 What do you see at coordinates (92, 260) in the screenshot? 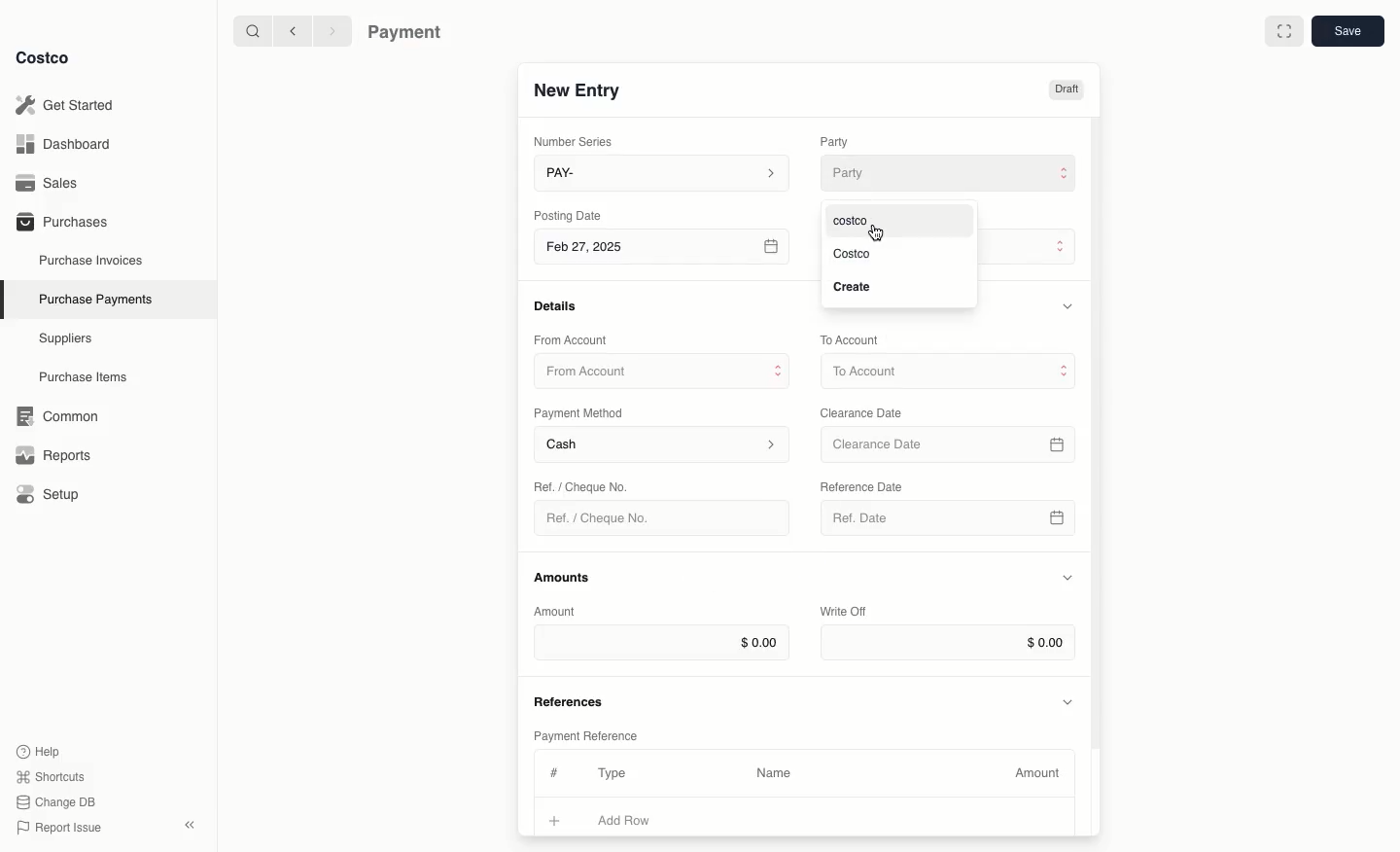
I see `Purchase Invoices` at bounding box center [92, 260].